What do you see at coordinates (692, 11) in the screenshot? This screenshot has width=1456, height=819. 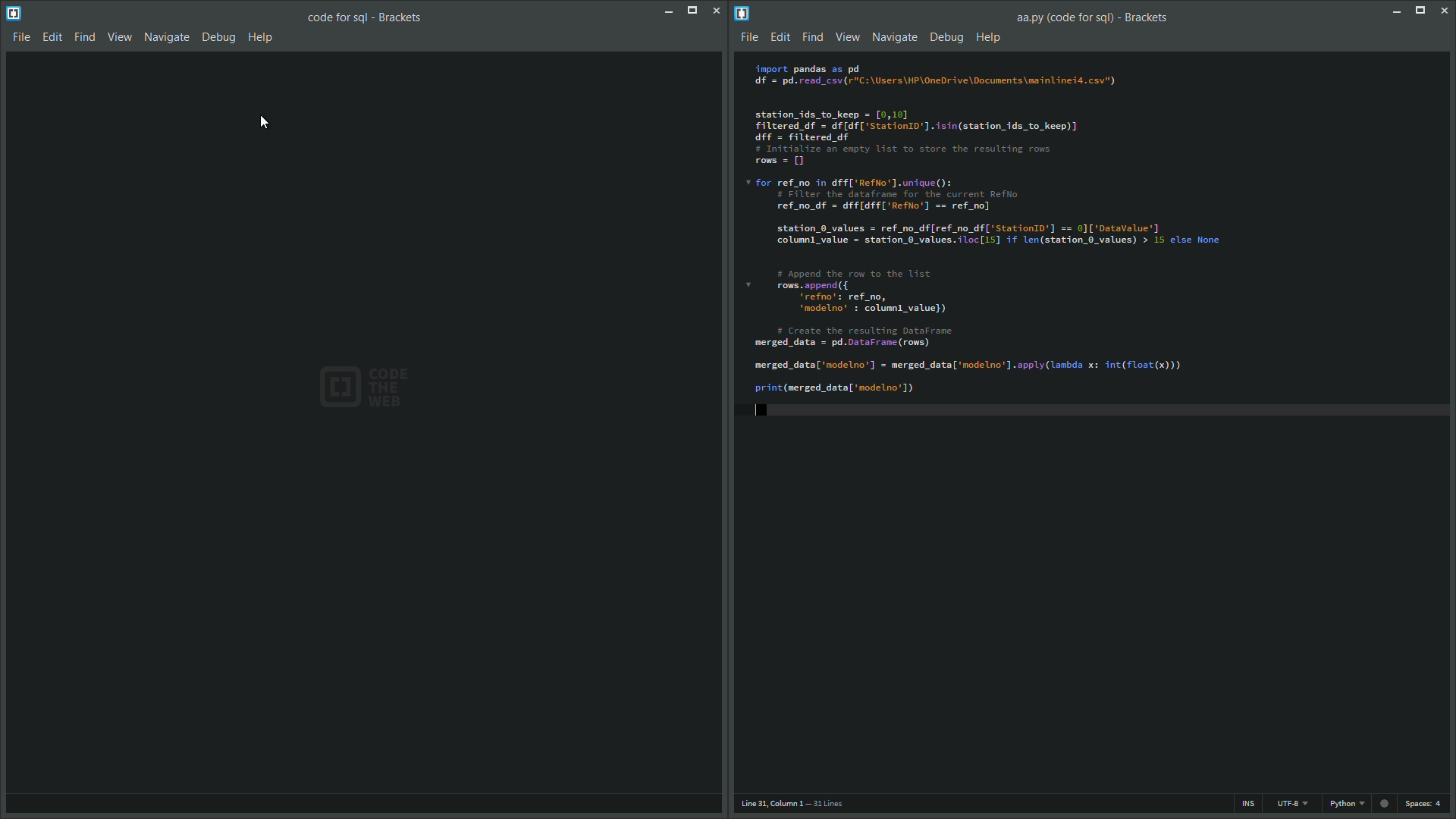 I see `restore` at bounding box center [692, 11].